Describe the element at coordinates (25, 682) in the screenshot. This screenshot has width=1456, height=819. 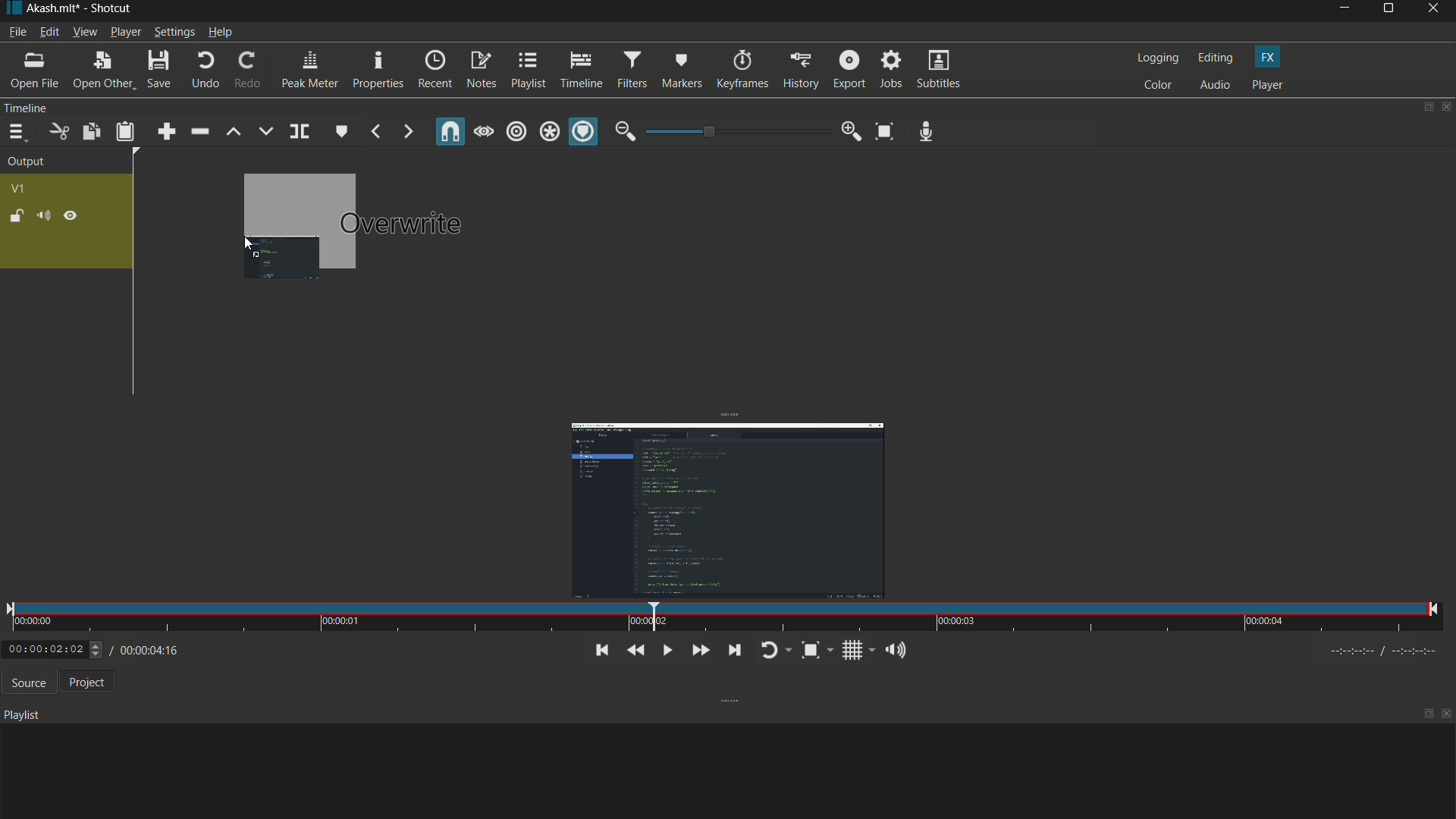
I see `source` at that location.